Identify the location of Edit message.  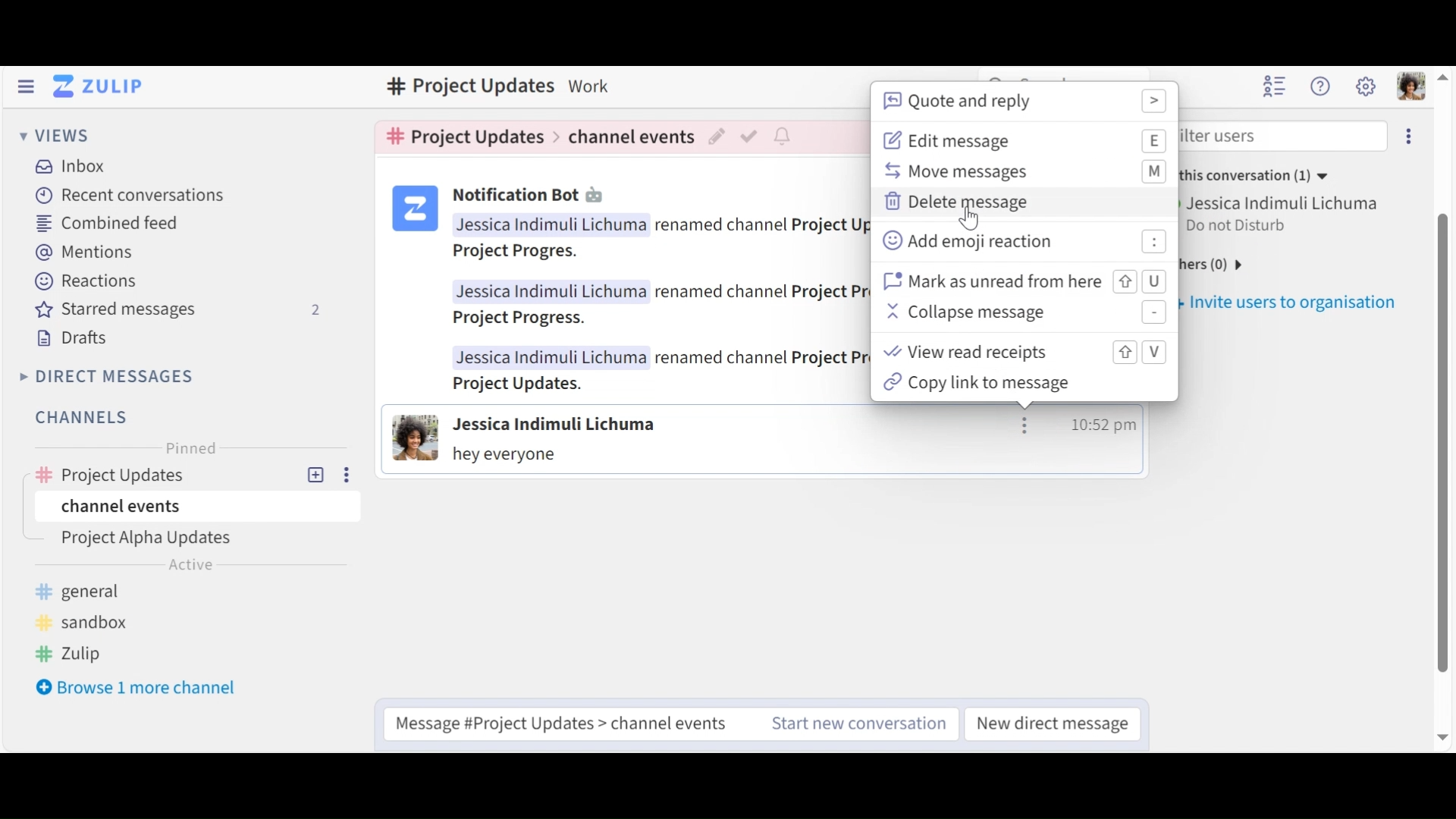
(1025, 140).